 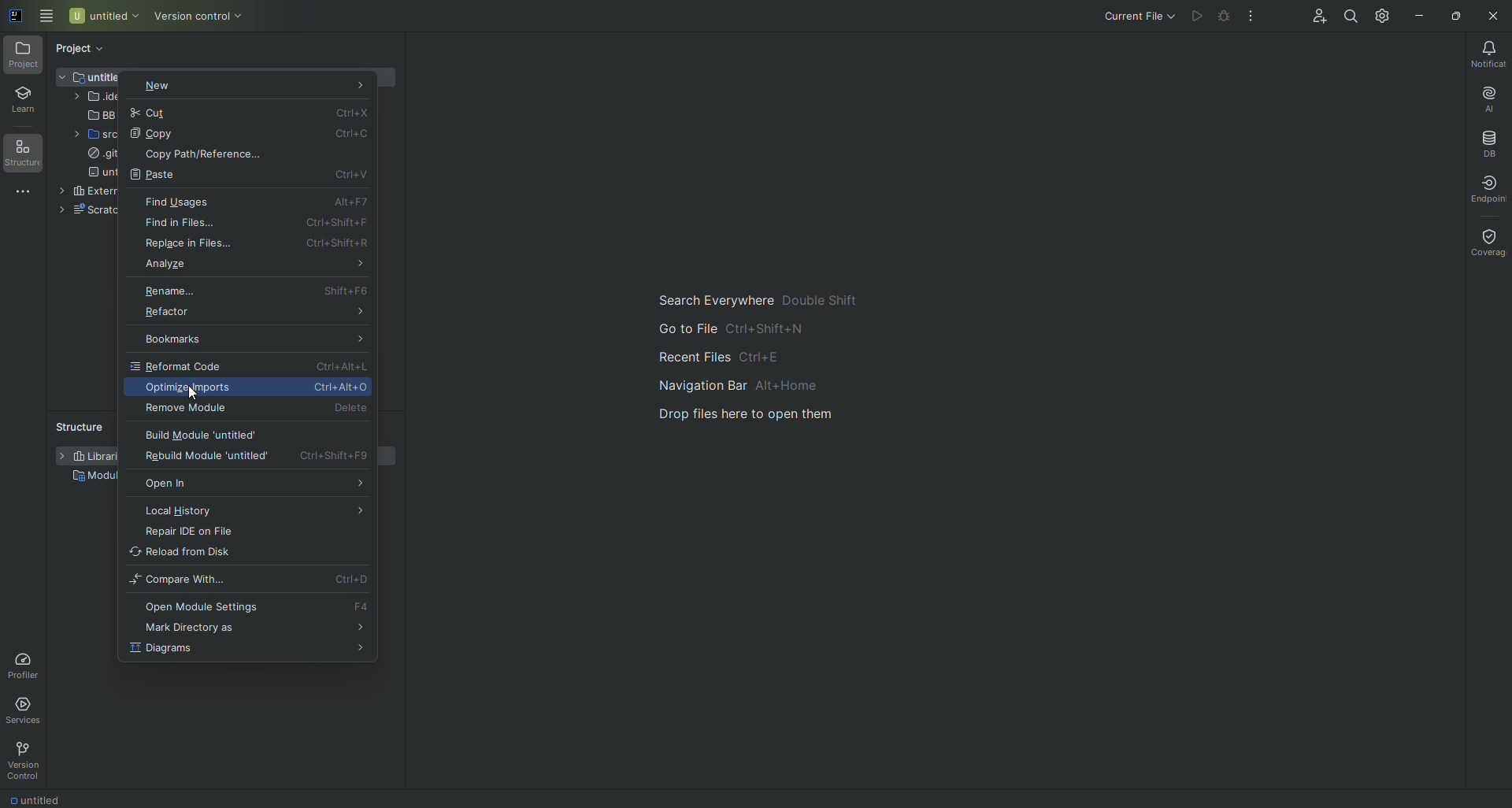 What do you see at coordinates (1221, 16) in the screenshot?
I see `Debug` at bounding box center [1221, 16].